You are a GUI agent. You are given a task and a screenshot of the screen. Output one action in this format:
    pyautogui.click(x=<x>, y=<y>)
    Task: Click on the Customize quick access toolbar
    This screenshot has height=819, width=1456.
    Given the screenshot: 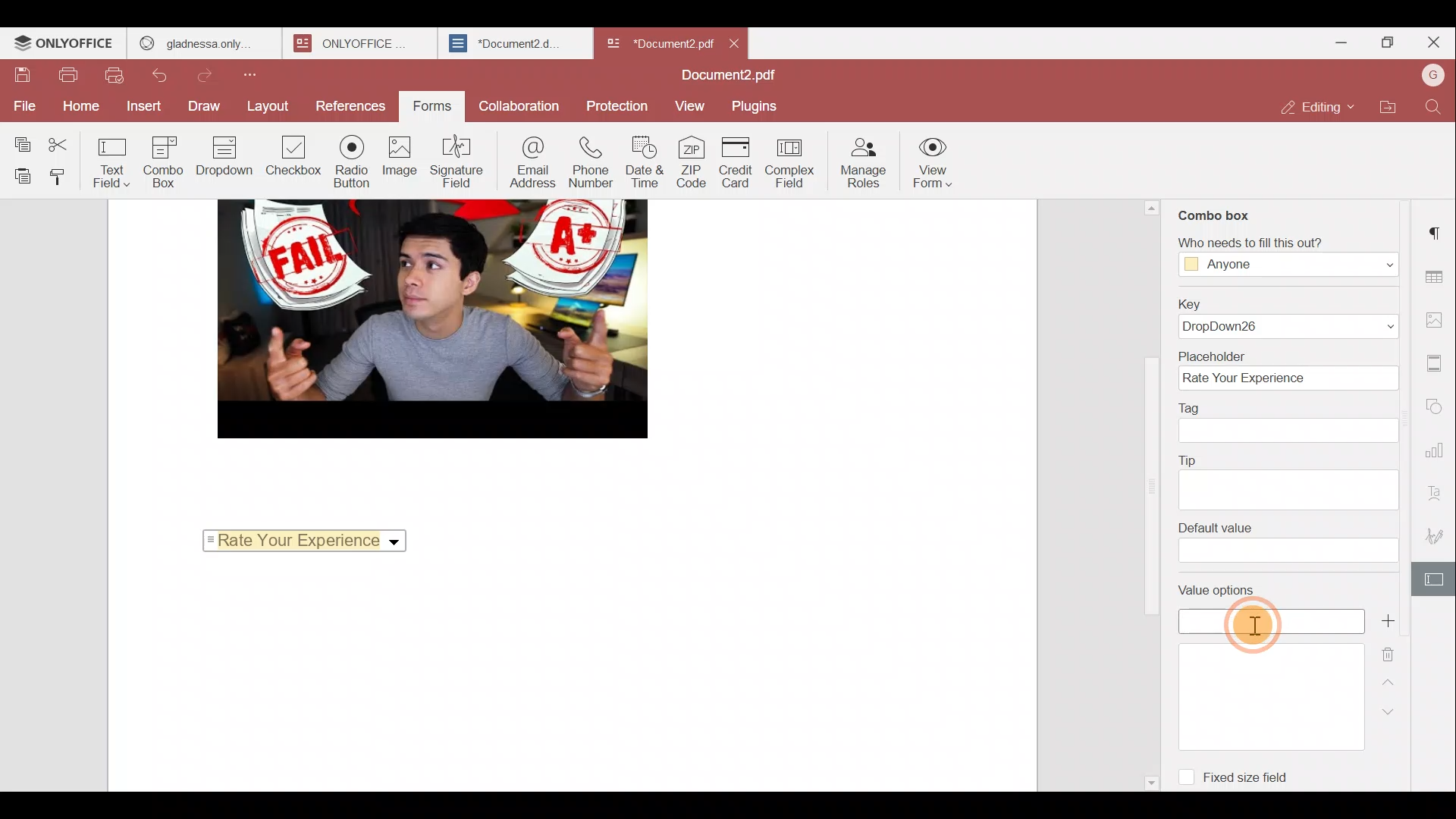 What is the action you would take?
    pyautogui.click(x=255, y=77)
    